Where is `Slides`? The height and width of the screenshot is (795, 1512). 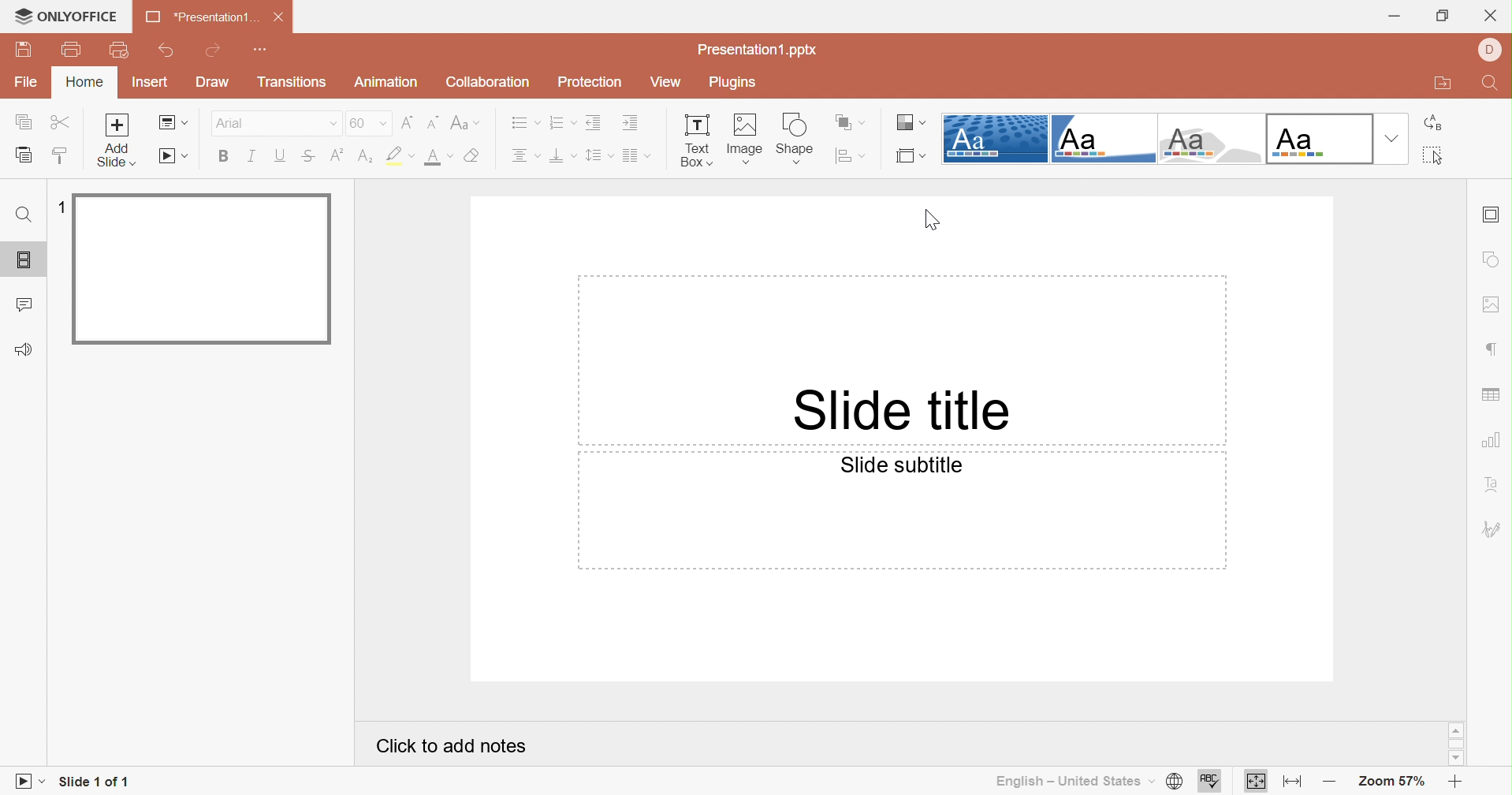
Slides is located at coordinates (26, 262).